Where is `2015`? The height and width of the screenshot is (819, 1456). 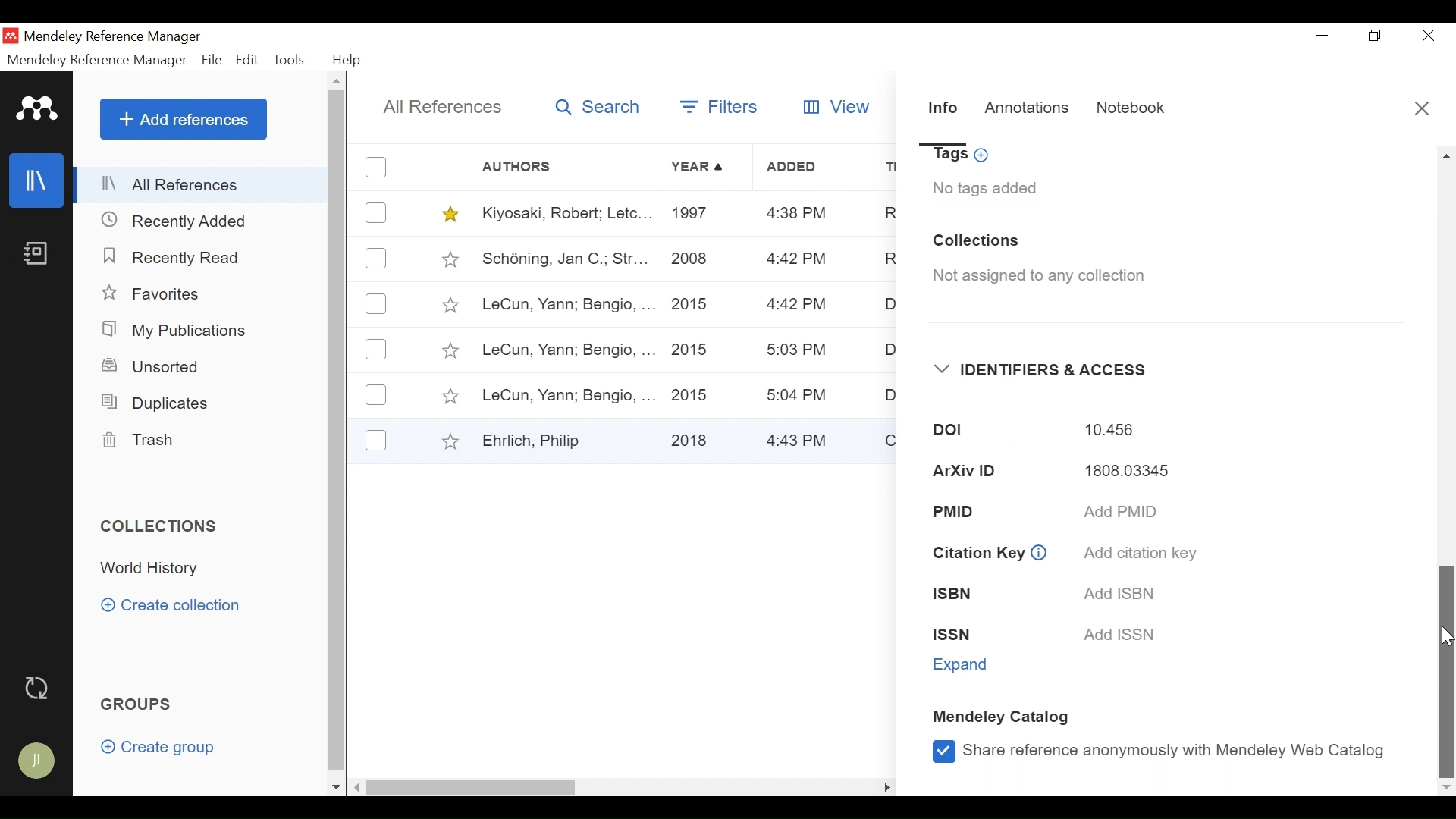 2015 is located at coordinates (693, 303).